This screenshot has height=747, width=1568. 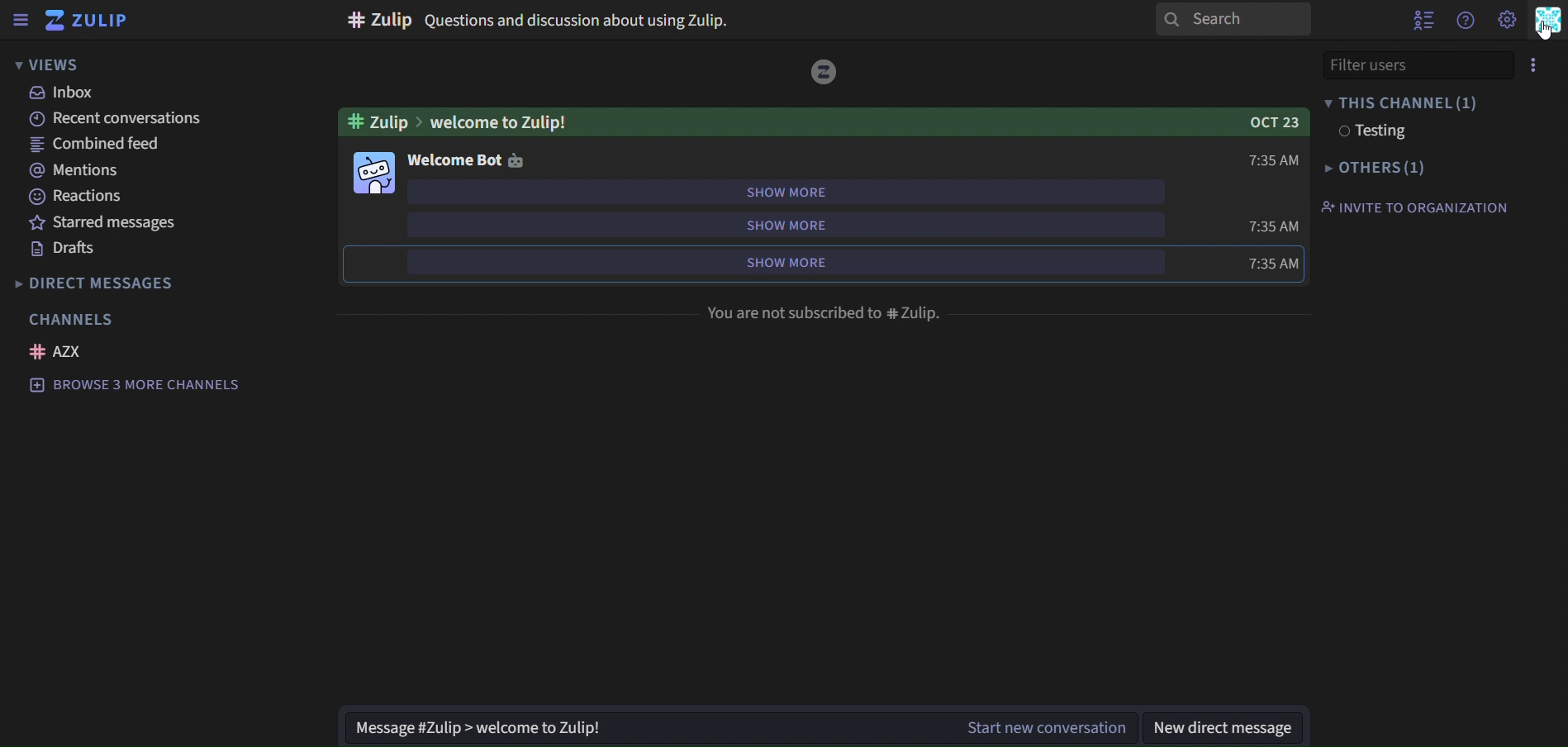 What do you see at coordinates (138, 387) in the screenshot?
I see `browse 3 more channels` at bounding box center [138, 387].